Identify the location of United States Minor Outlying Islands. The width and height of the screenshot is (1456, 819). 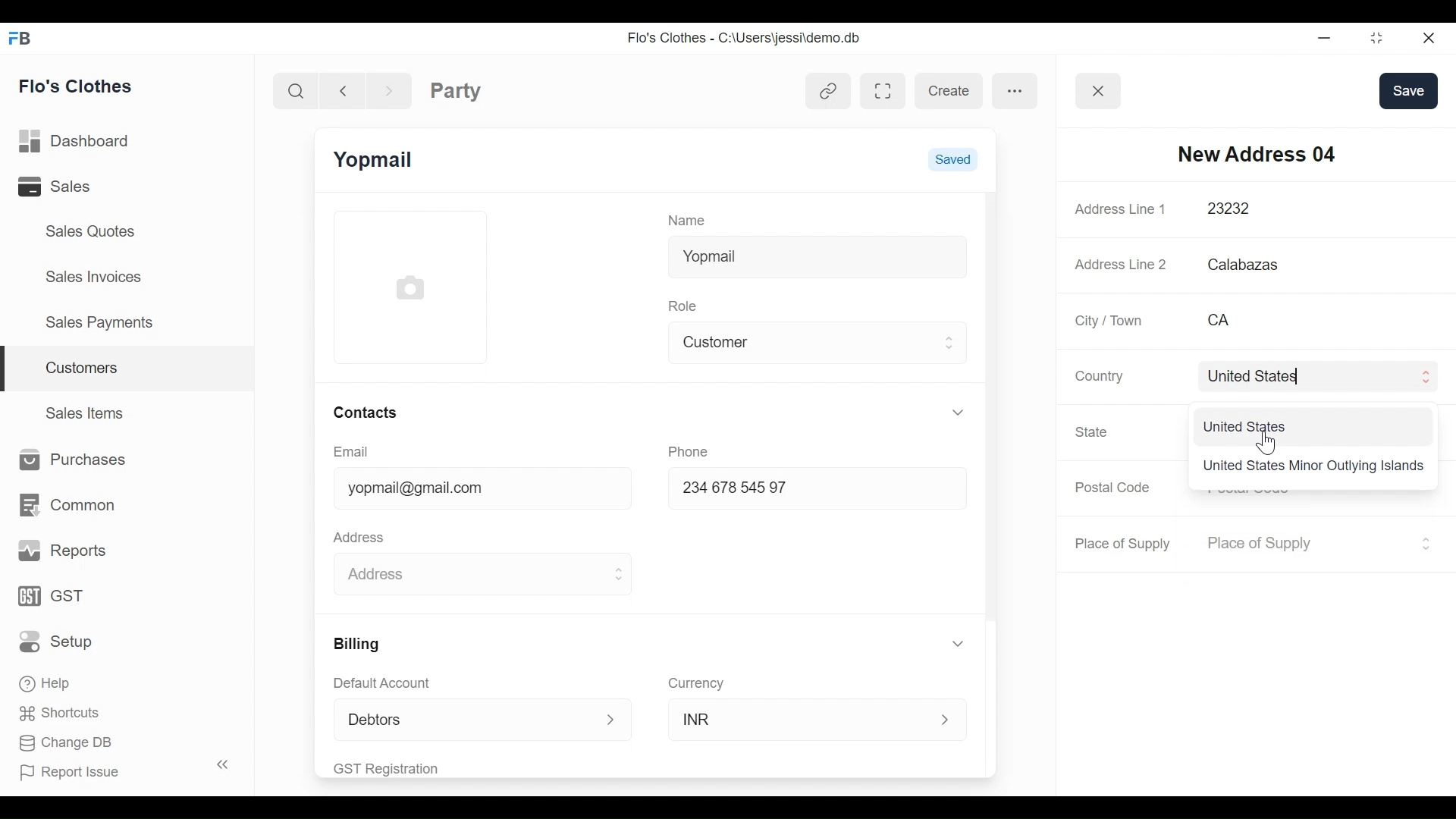
(1313, 467).